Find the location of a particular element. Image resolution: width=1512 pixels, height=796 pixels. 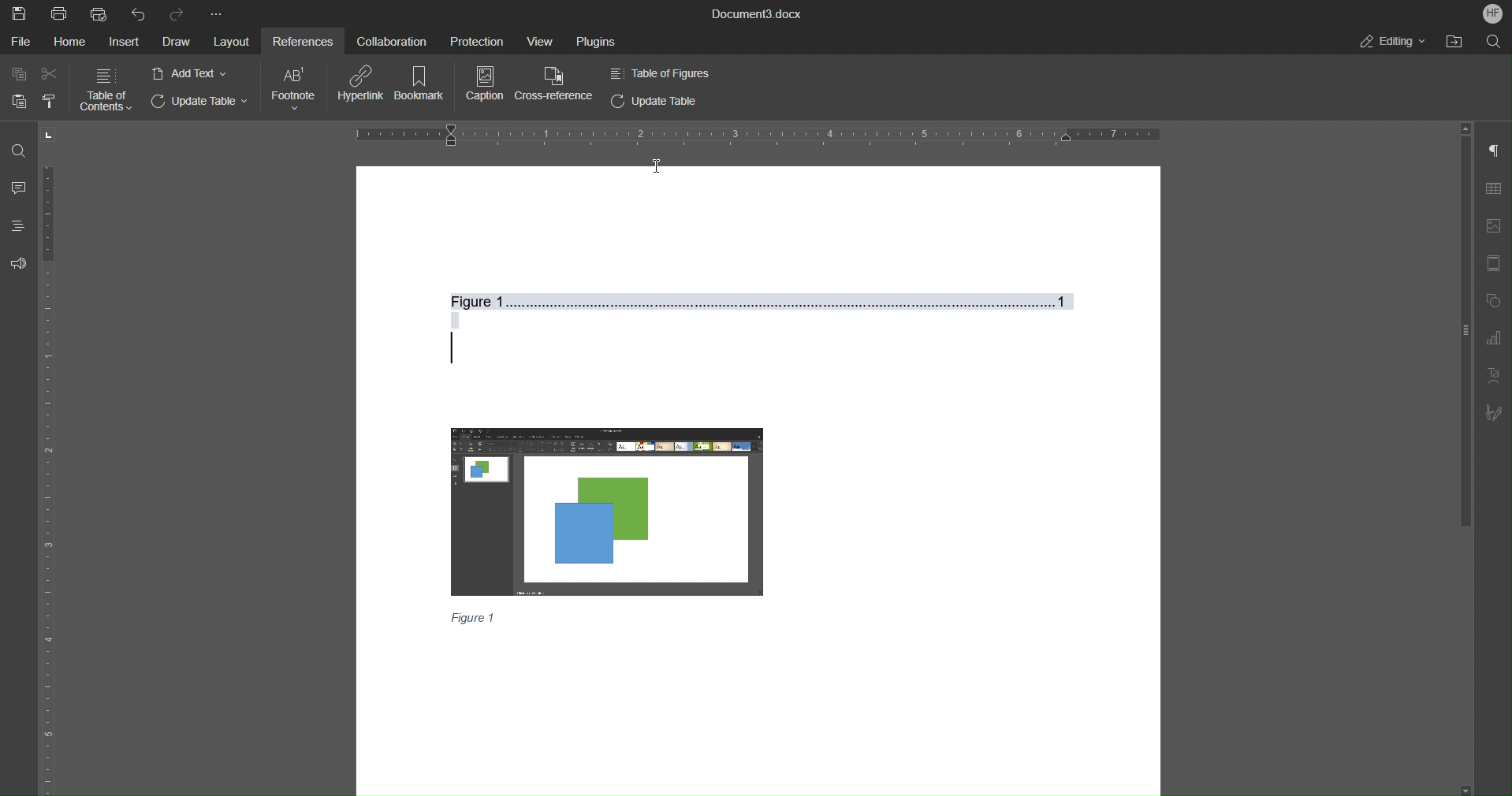

Table of Figures is located at coordinates (659, 73).